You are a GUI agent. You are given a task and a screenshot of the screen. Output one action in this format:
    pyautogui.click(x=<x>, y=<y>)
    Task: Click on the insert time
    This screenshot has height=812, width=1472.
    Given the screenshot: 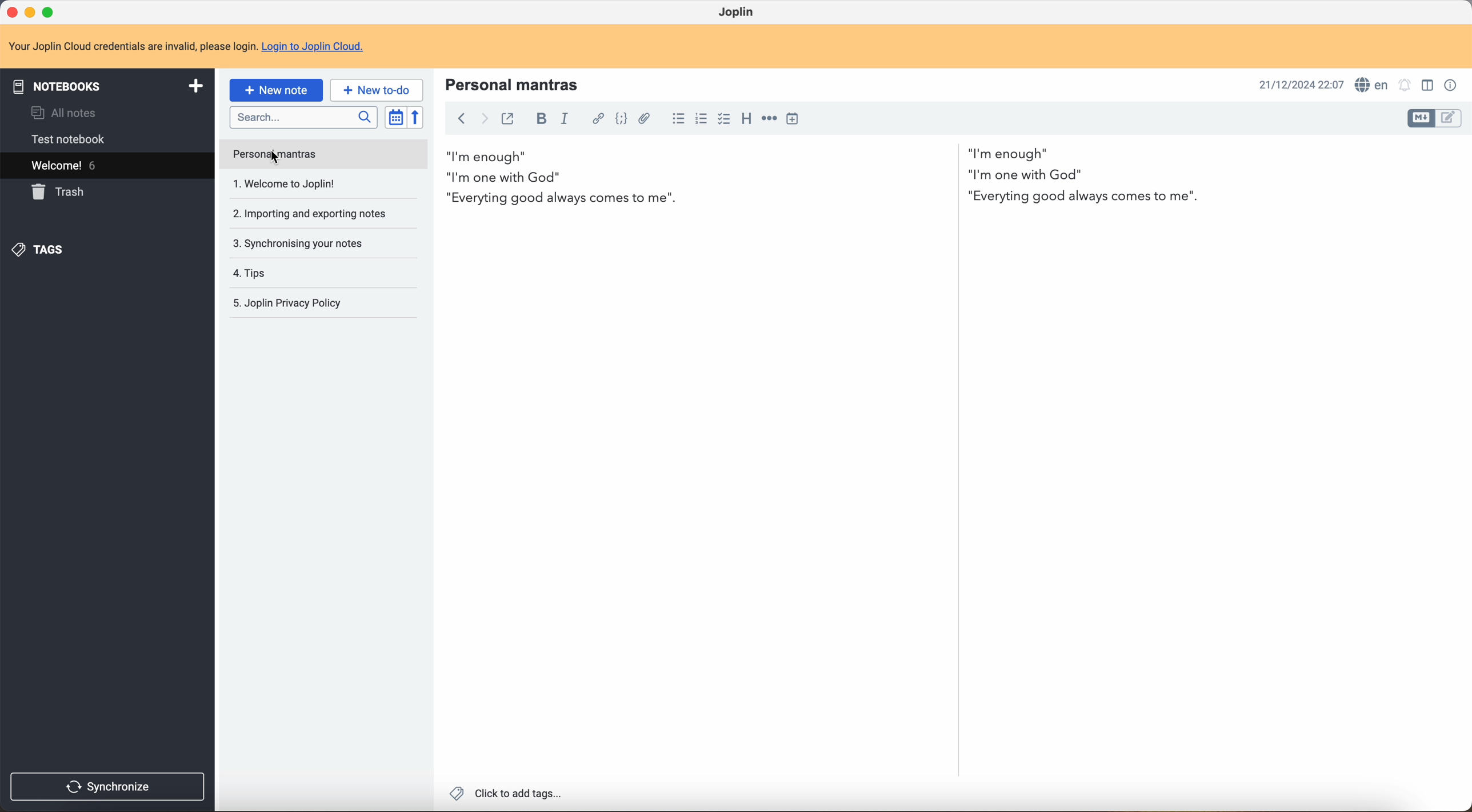 What is the action you would take?
    pyautogui.click(x=795, y=119)
    